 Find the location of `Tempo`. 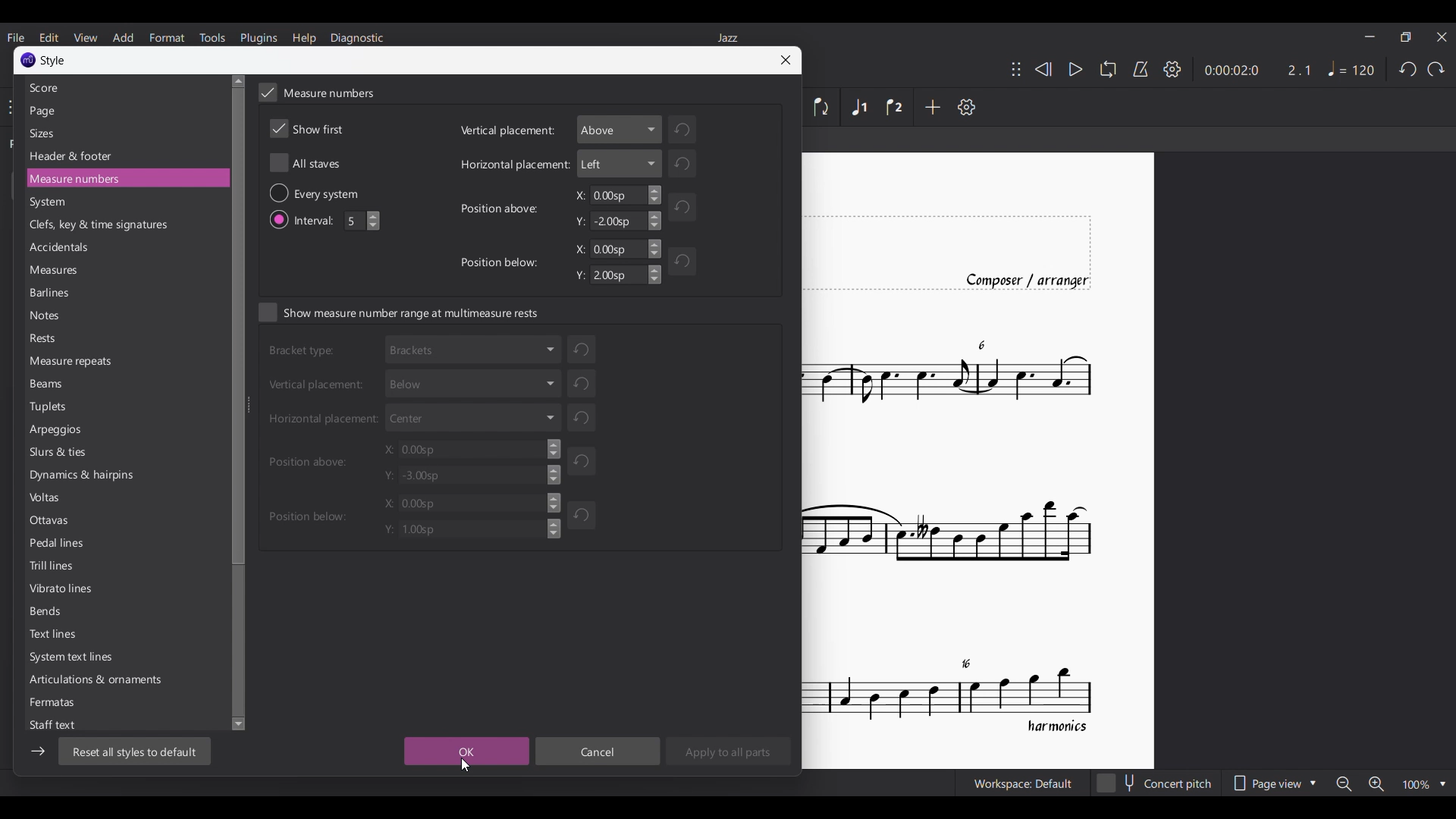

Tempo is located at coordinates (1351, 68).